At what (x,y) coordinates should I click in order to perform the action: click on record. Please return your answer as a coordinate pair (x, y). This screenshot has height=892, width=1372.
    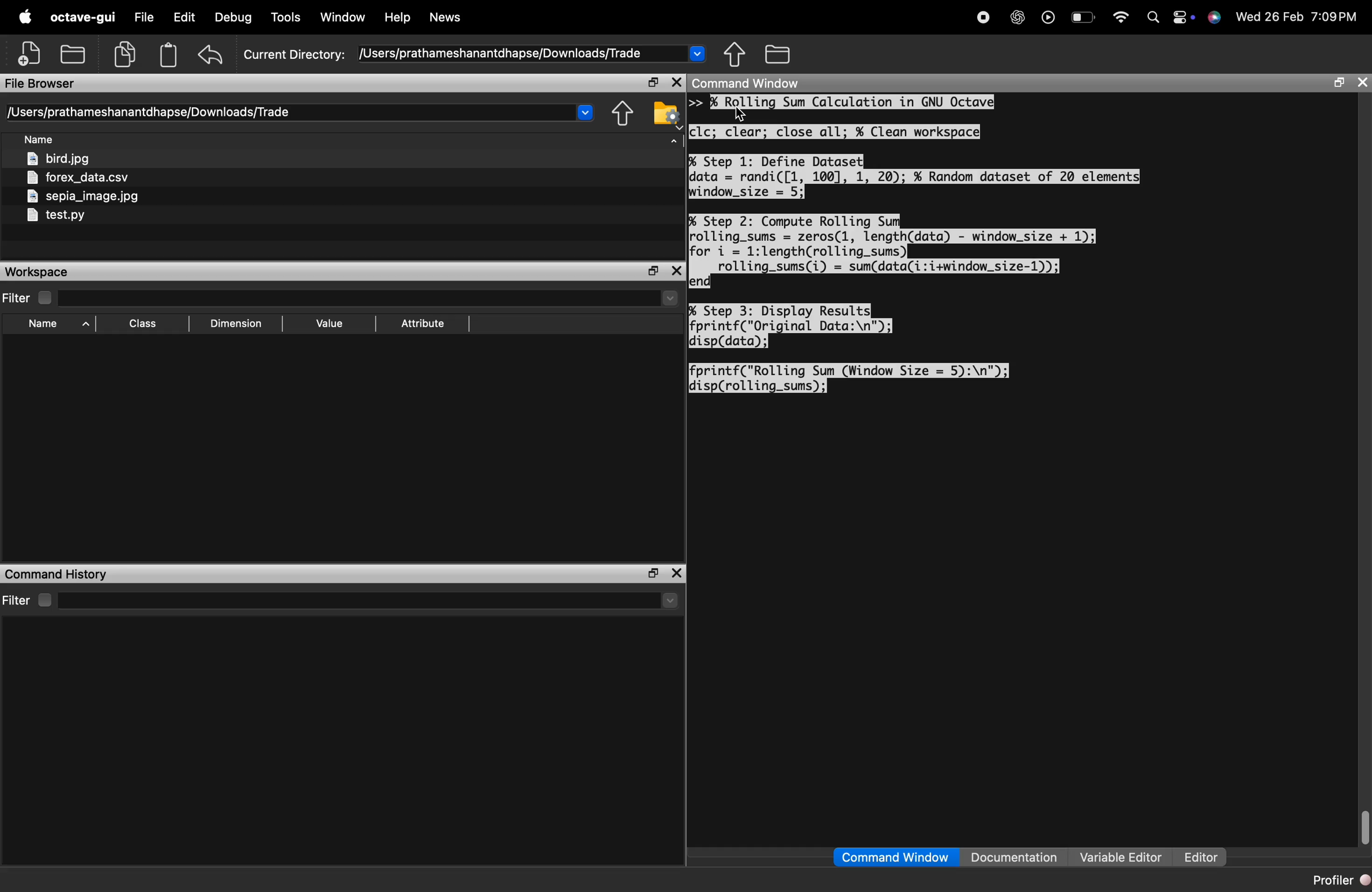
    Looking at the image, I should click on (983, 18).